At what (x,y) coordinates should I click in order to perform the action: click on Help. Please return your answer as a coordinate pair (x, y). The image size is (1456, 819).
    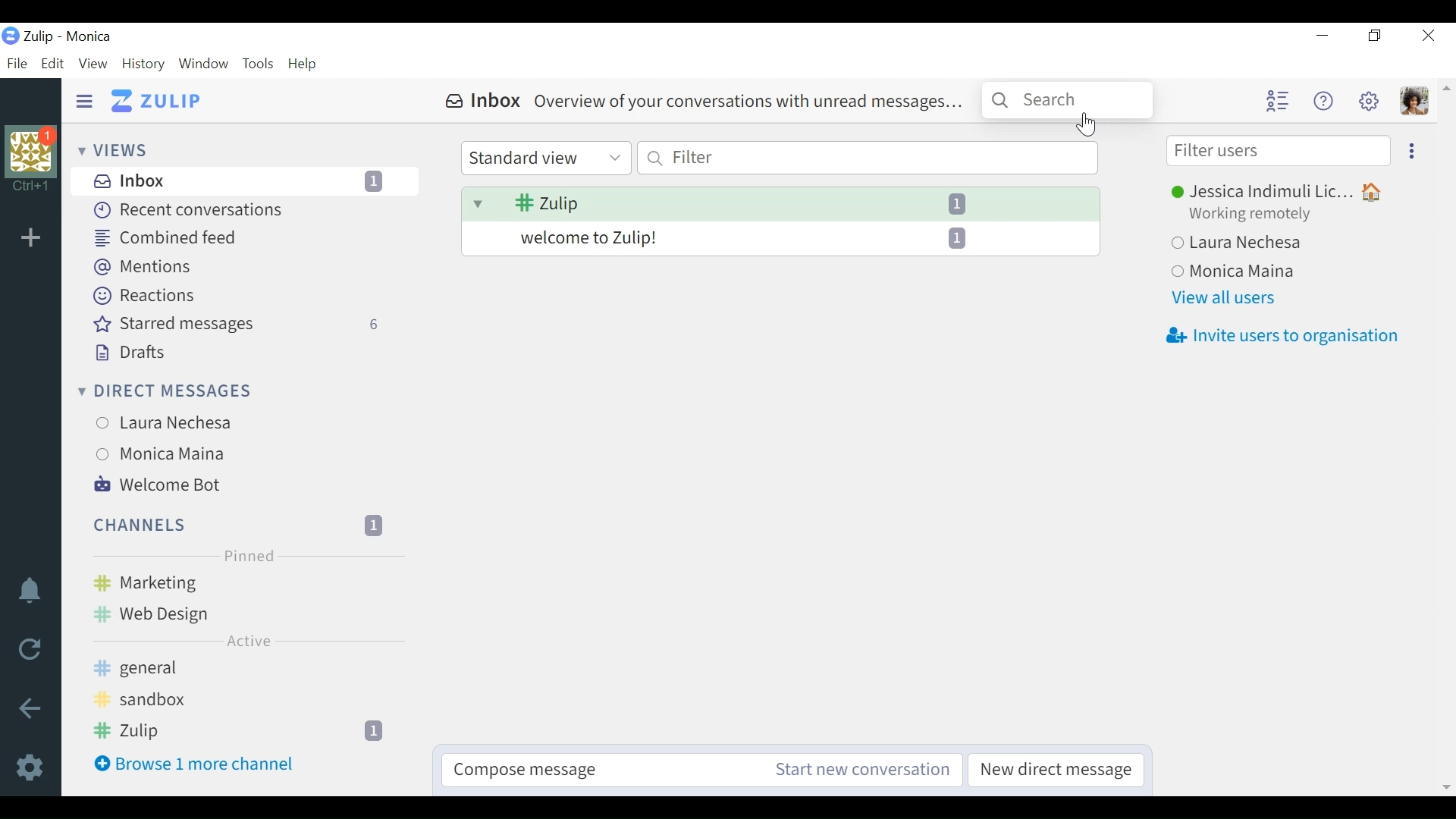
    Looking at the image, I should click on (303, 64).